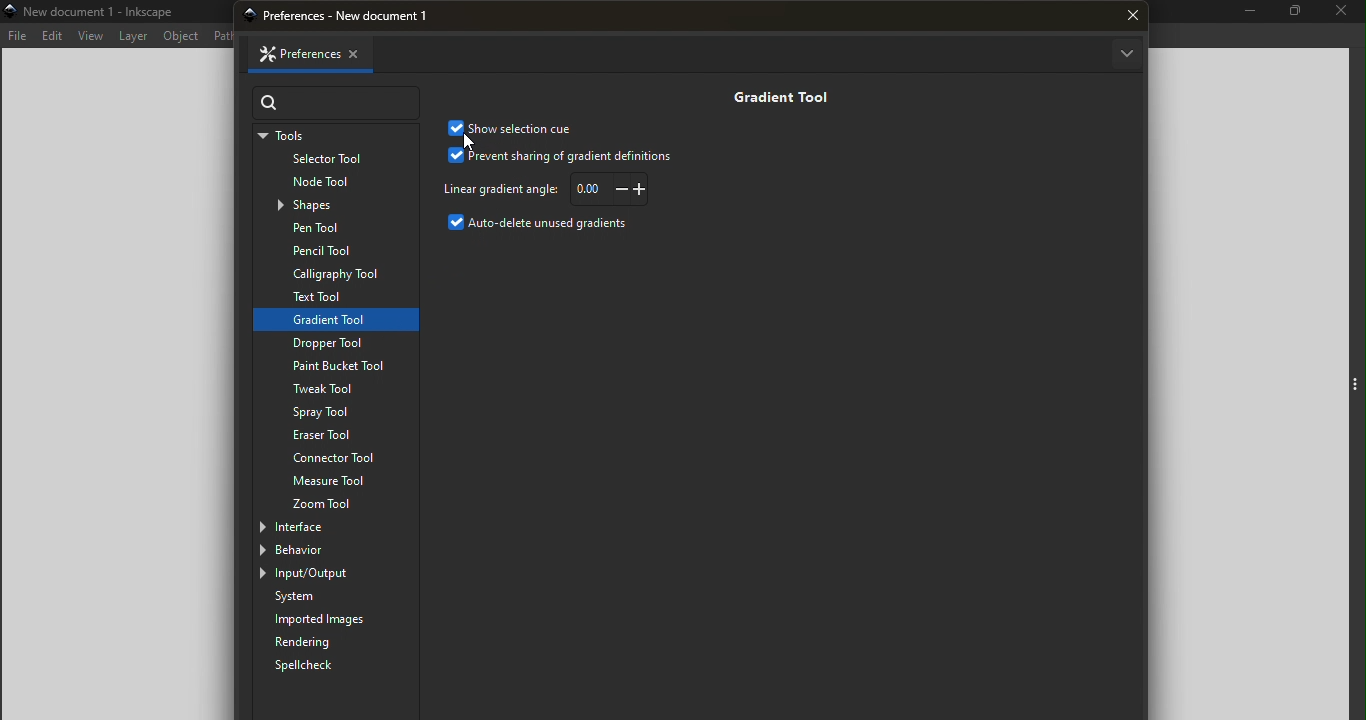 Image resolution: width=1366 pixels, height=720 pixels. I want to click on Prevent sharing of gradient definitions, so click(562, 156).